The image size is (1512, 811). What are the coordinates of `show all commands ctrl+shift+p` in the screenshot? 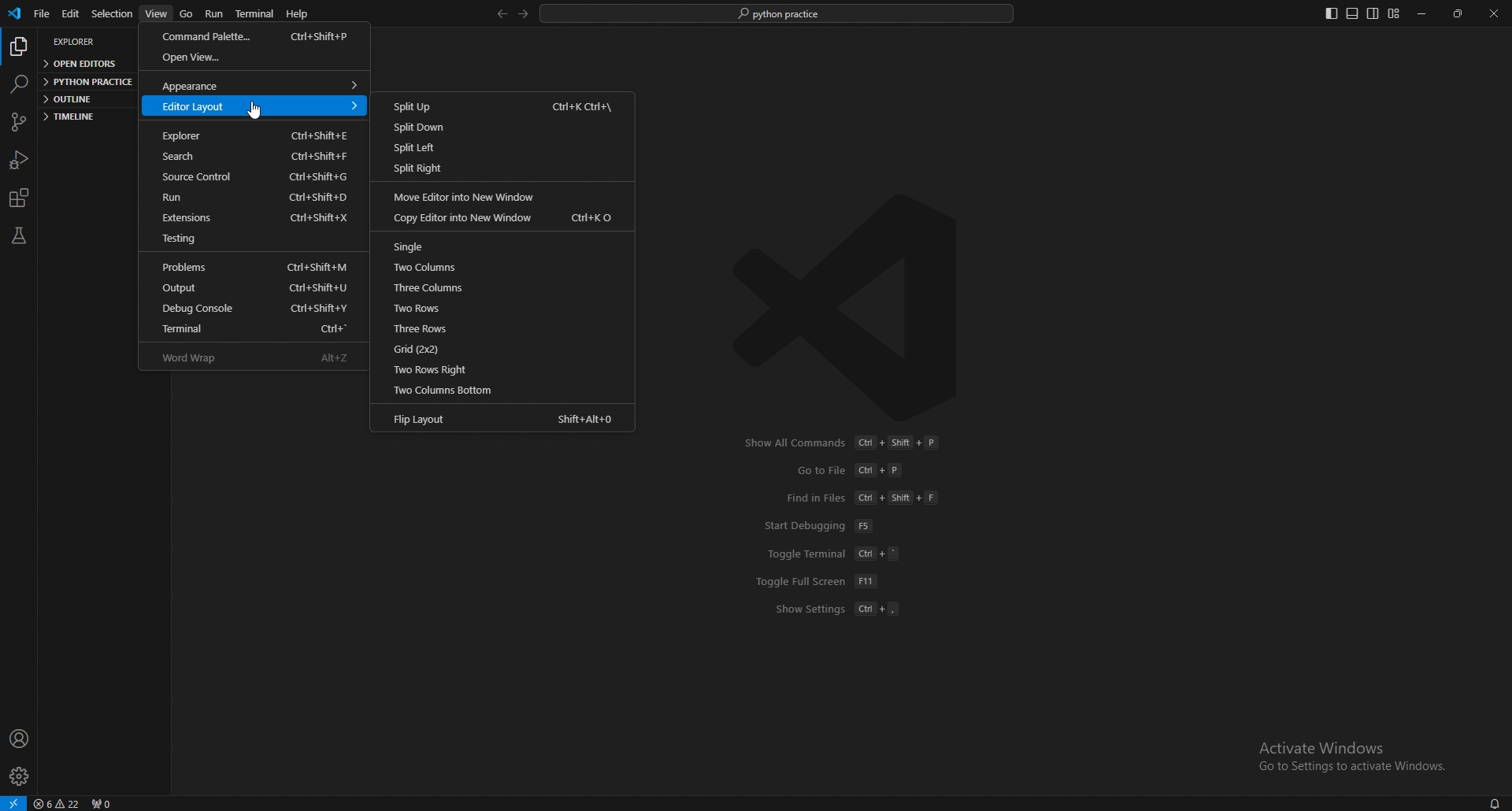 It's located at (845, 443).